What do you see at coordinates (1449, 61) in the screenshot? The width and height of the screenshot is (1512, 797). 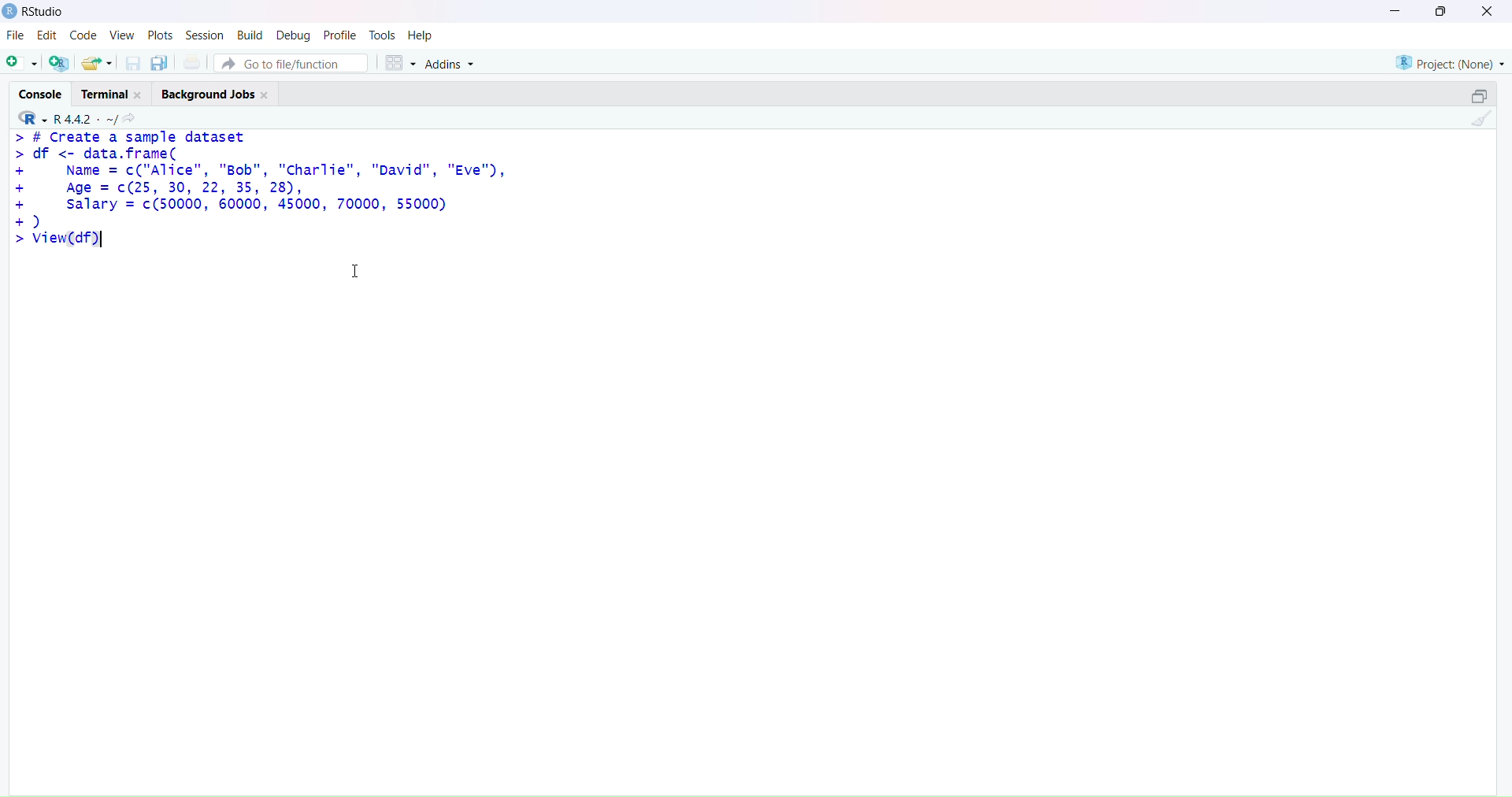 I see `project(None)` at bounding box center [1449, 61].